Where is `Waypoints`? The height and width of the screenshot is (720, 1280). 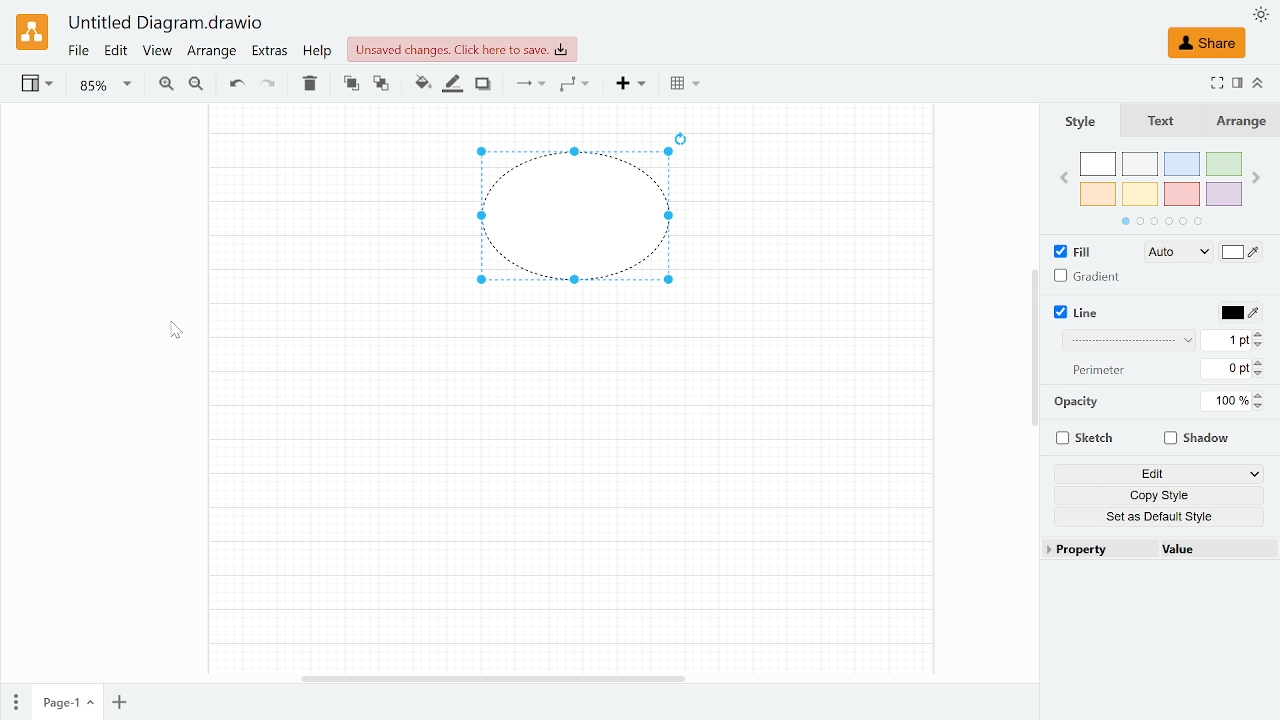 Waypoints is located at coordinates (576, 85).